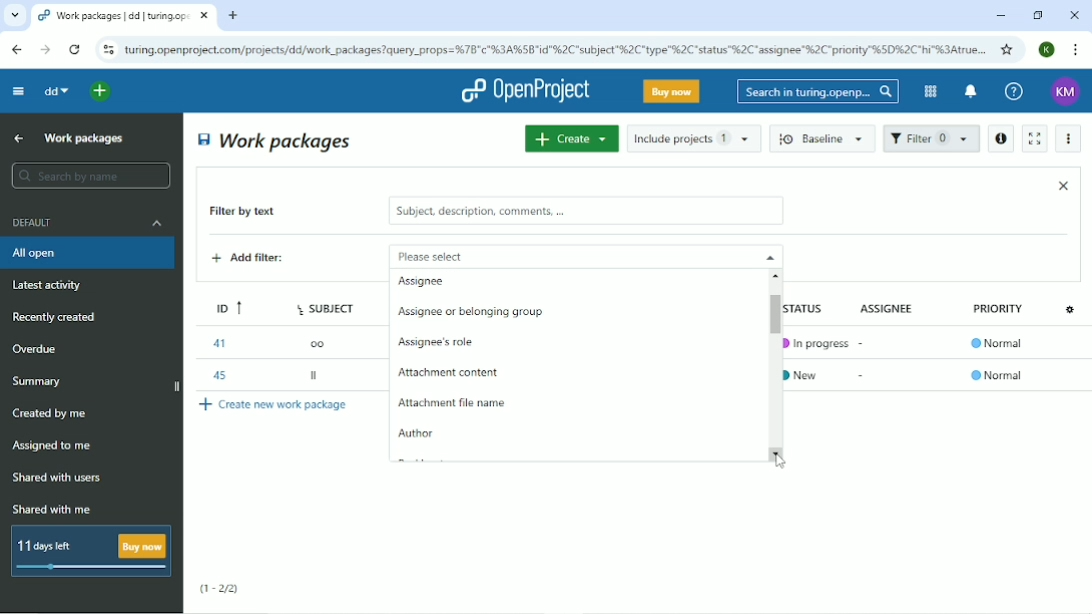  What do you see at coordinates (931, 140) in the screenshot?
I see `Filter 1` at bounding box center [931, 140].